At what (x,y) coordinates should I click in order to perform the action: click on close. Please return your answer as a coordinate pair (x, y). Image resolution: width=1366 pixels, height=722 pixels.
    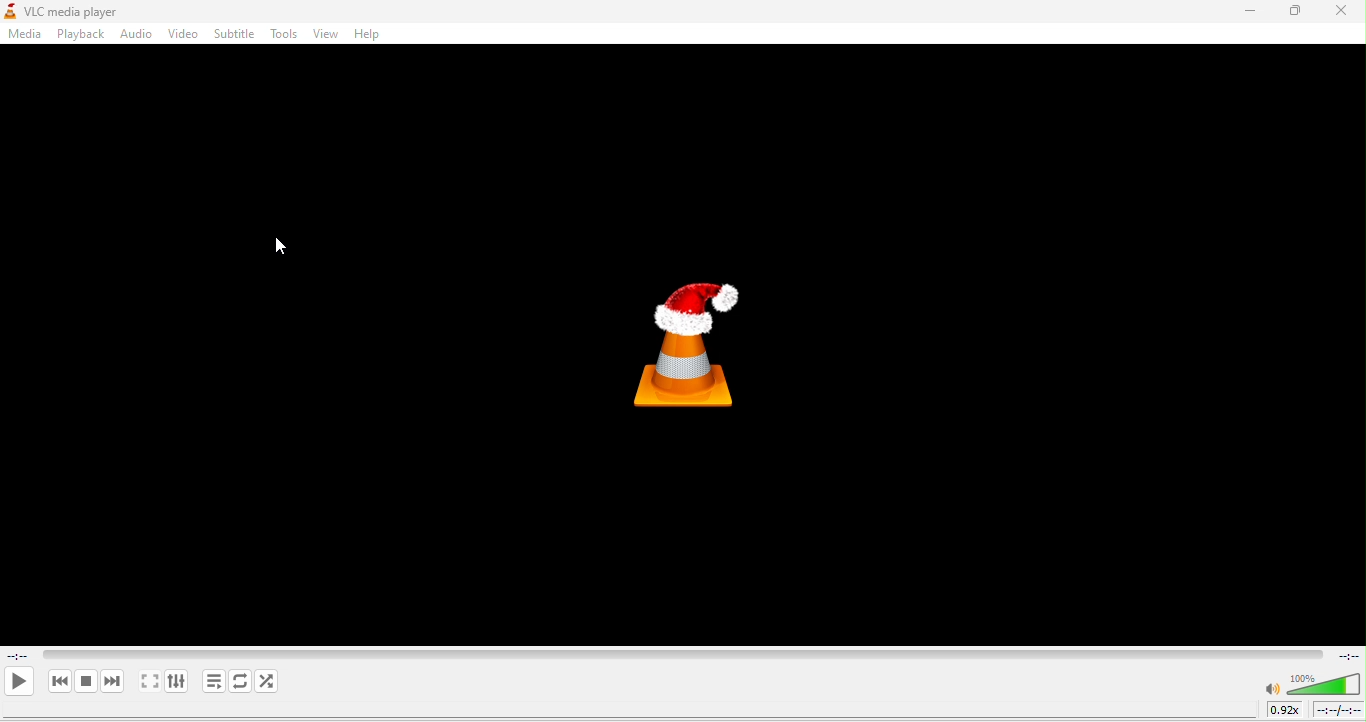
    Looking at the image, I should click on (1342, 11).